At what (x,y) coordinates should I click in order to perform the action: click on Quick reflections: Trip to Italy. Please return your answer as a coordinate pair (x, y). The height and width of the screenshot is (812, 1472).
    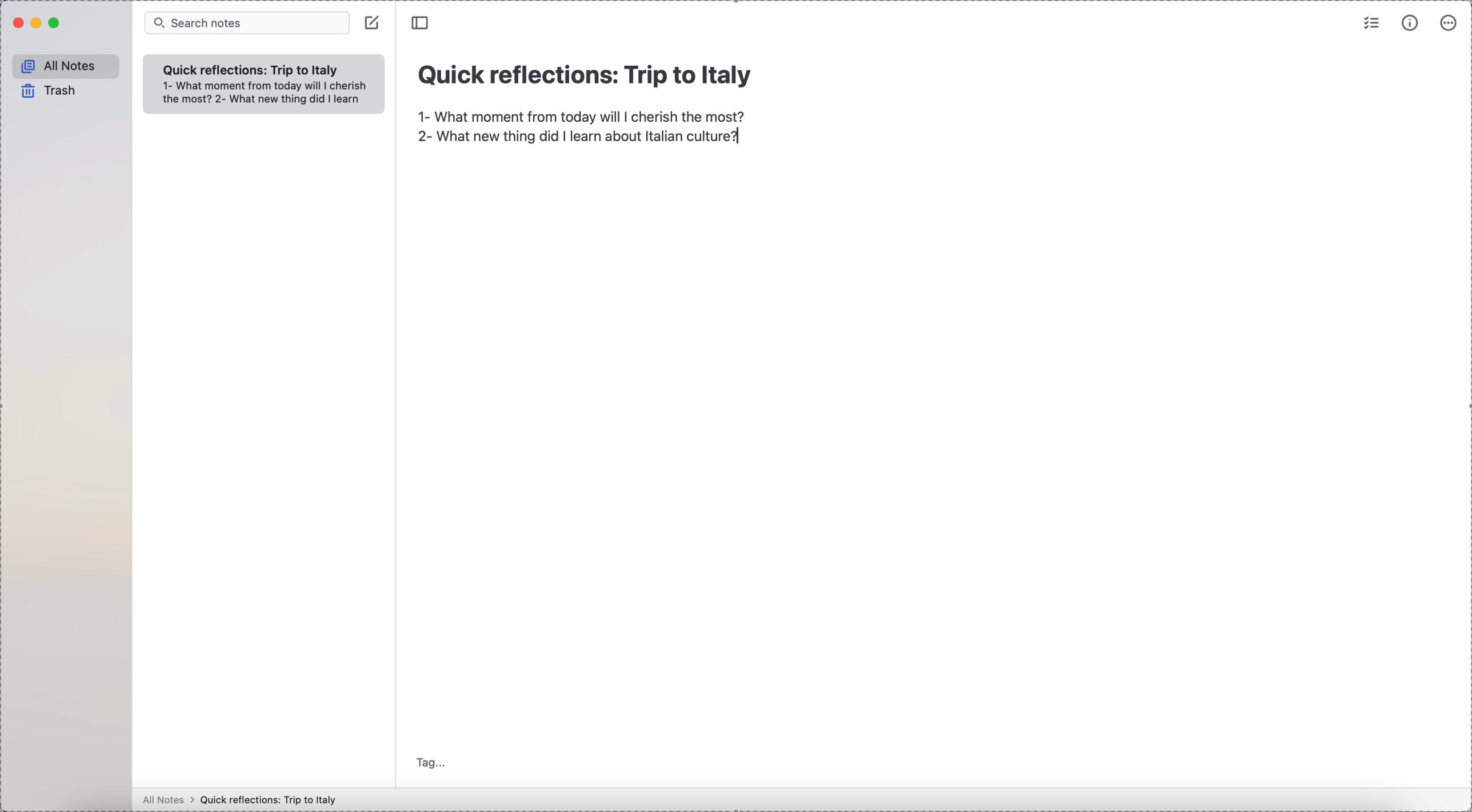
    Looking at the image, I should click on (273, 801).